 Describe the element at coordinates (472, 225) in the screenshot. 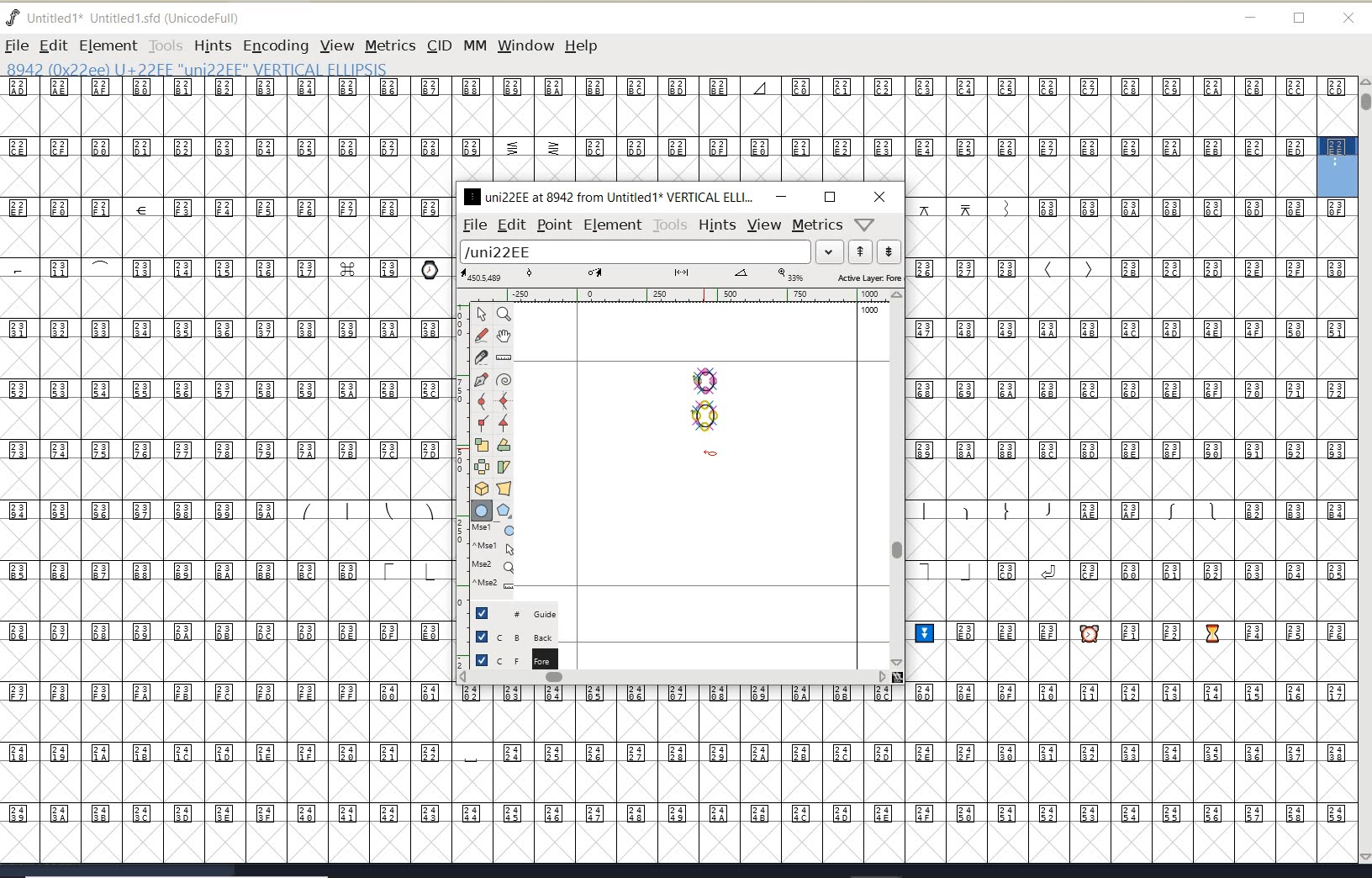

I see `file` at that location.